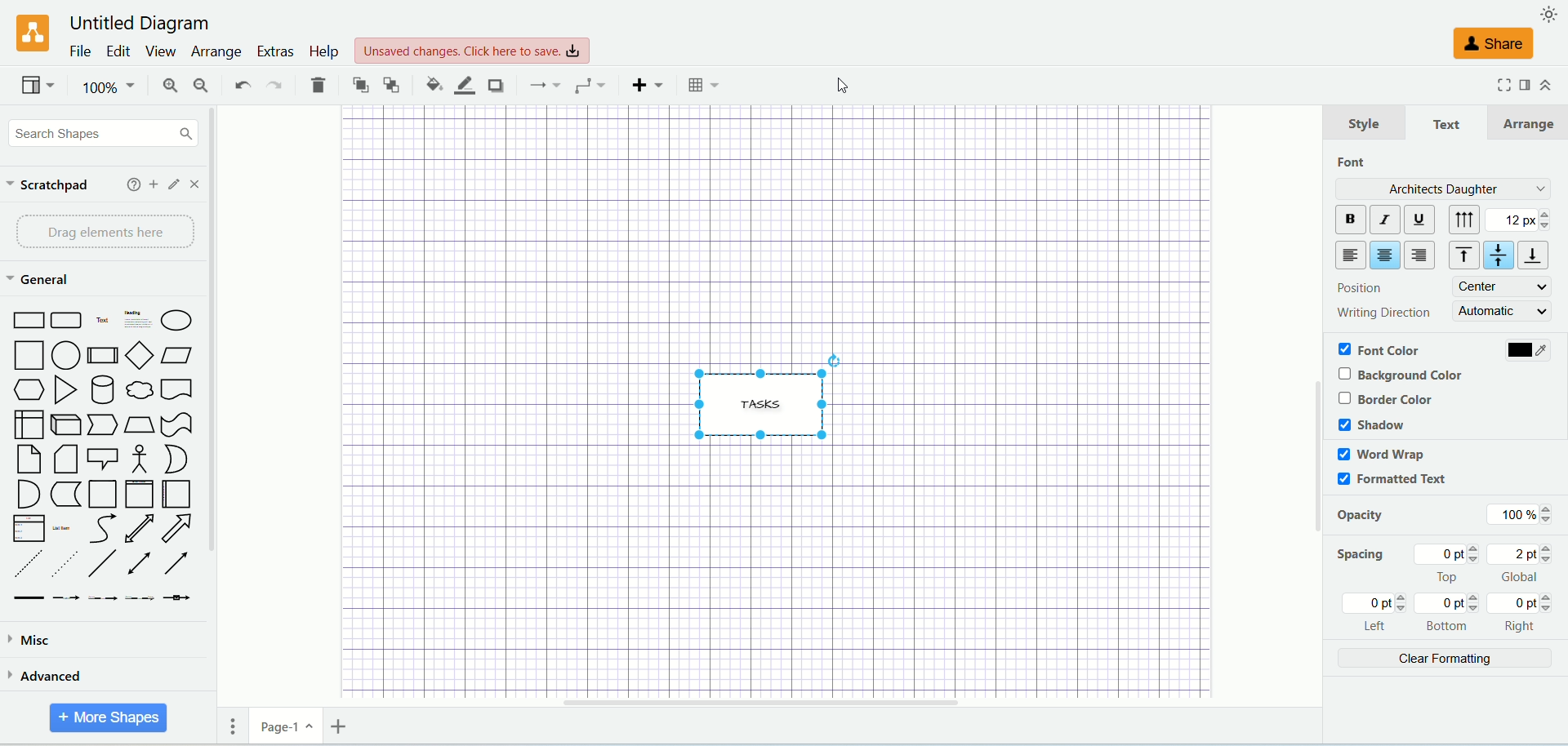 This screenshot has height=746, width=1568. I want to click on position, so click(1356, 286).